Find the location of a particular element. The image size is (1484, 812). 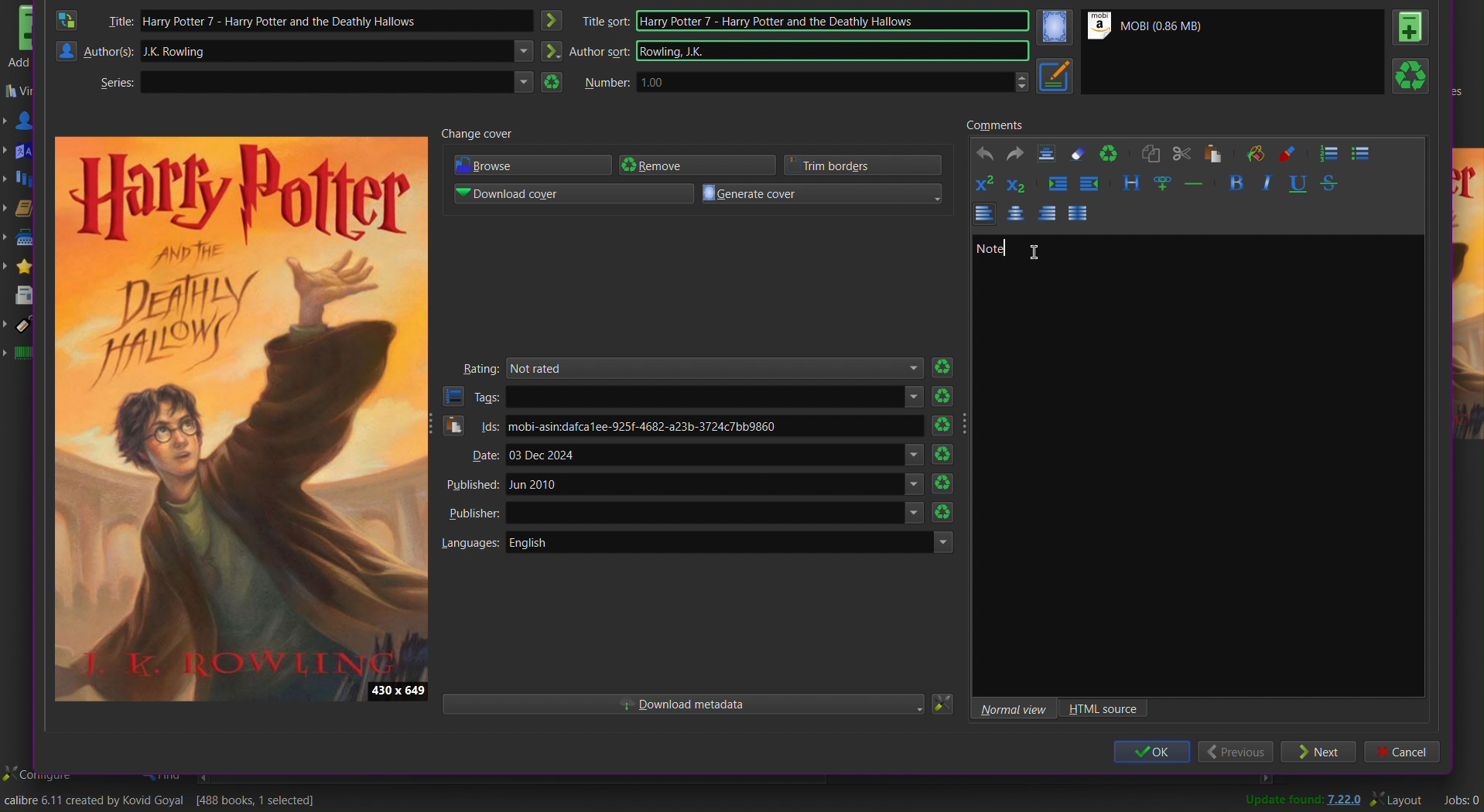

News is located at coordinates (26, 295).